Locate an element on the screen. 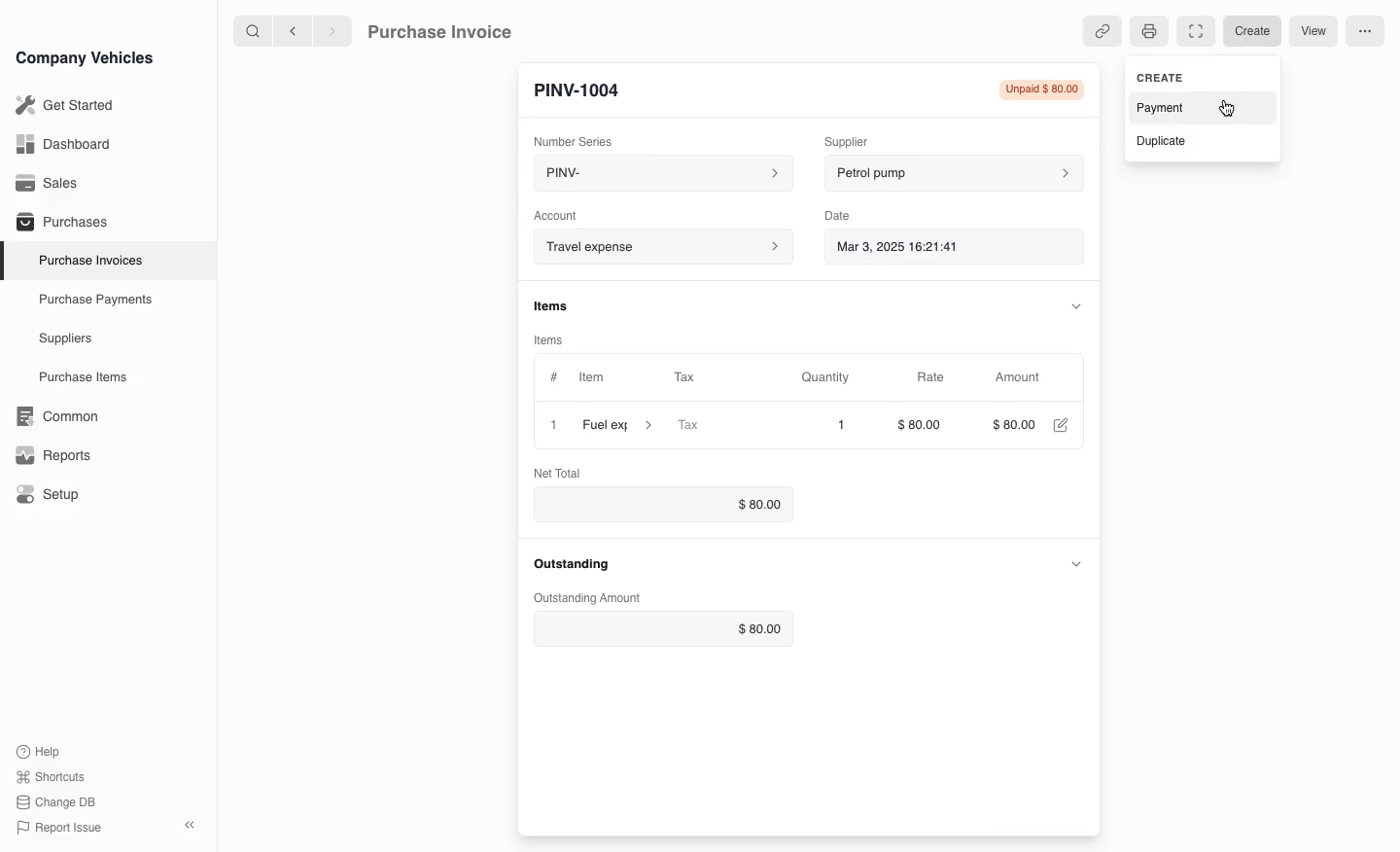 The height and width of the screenshot is (852, 1400). Purchase Payments is located at coordinates (93, 300).